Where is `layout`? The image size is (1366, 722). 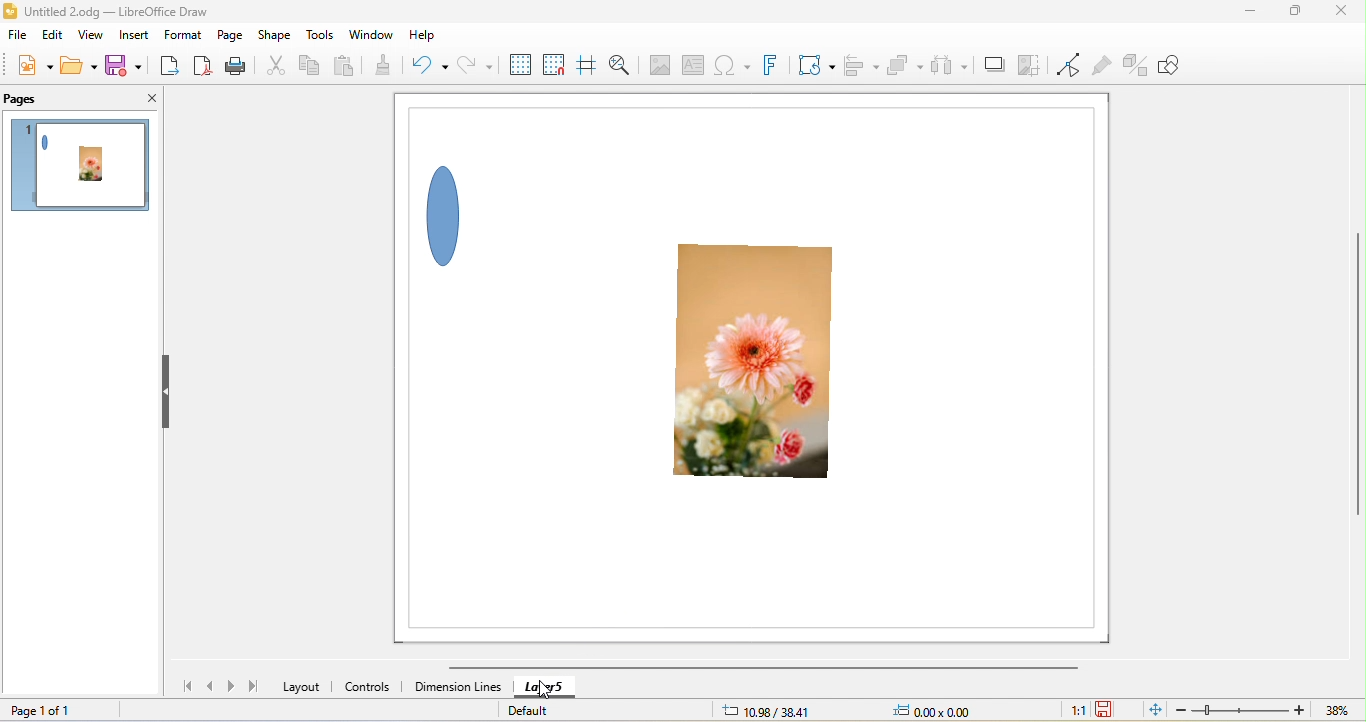
layout is located at coordinates (302, 686).